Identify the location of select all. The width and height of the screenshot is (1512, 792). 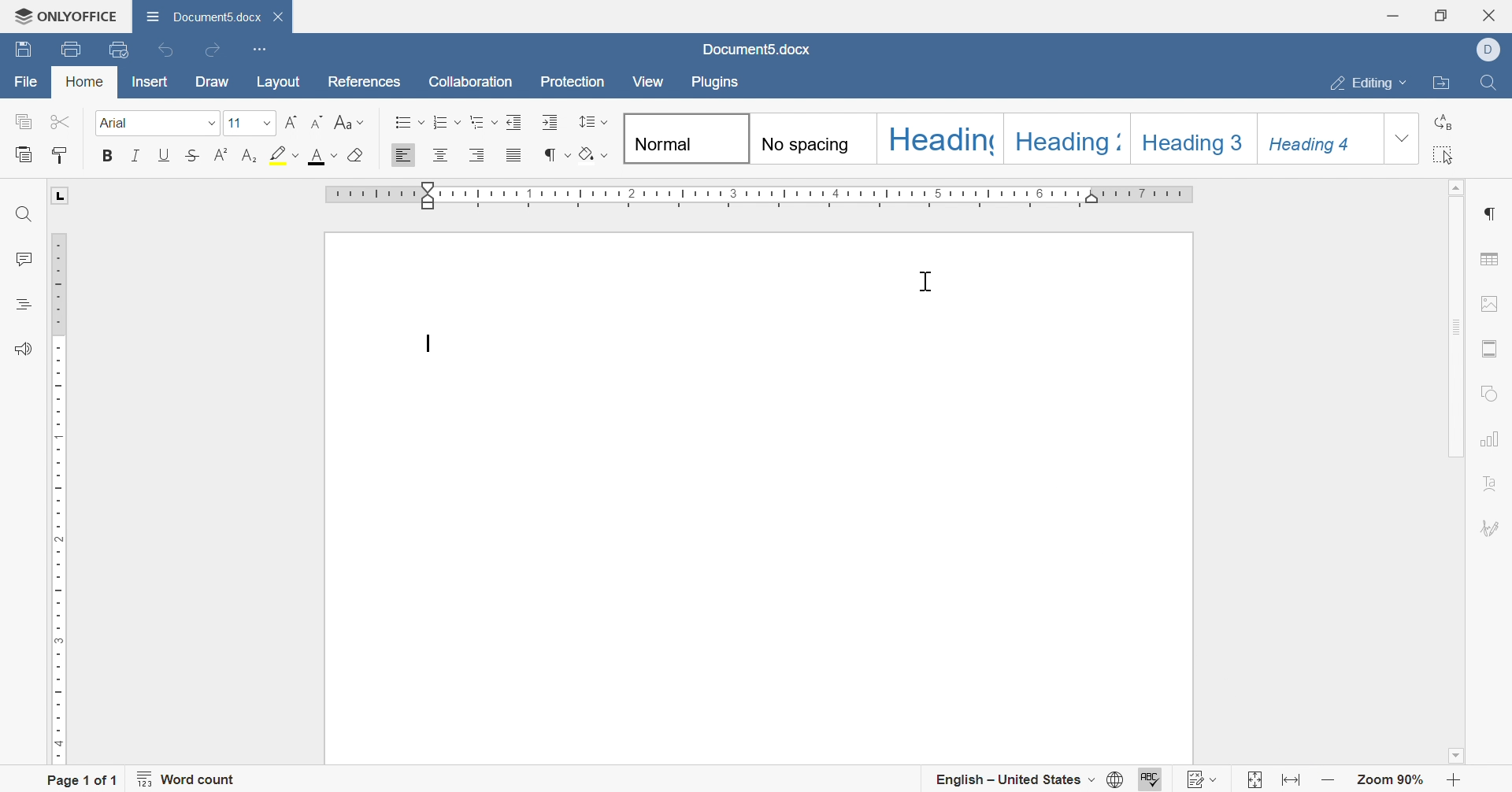
(1447, 155).